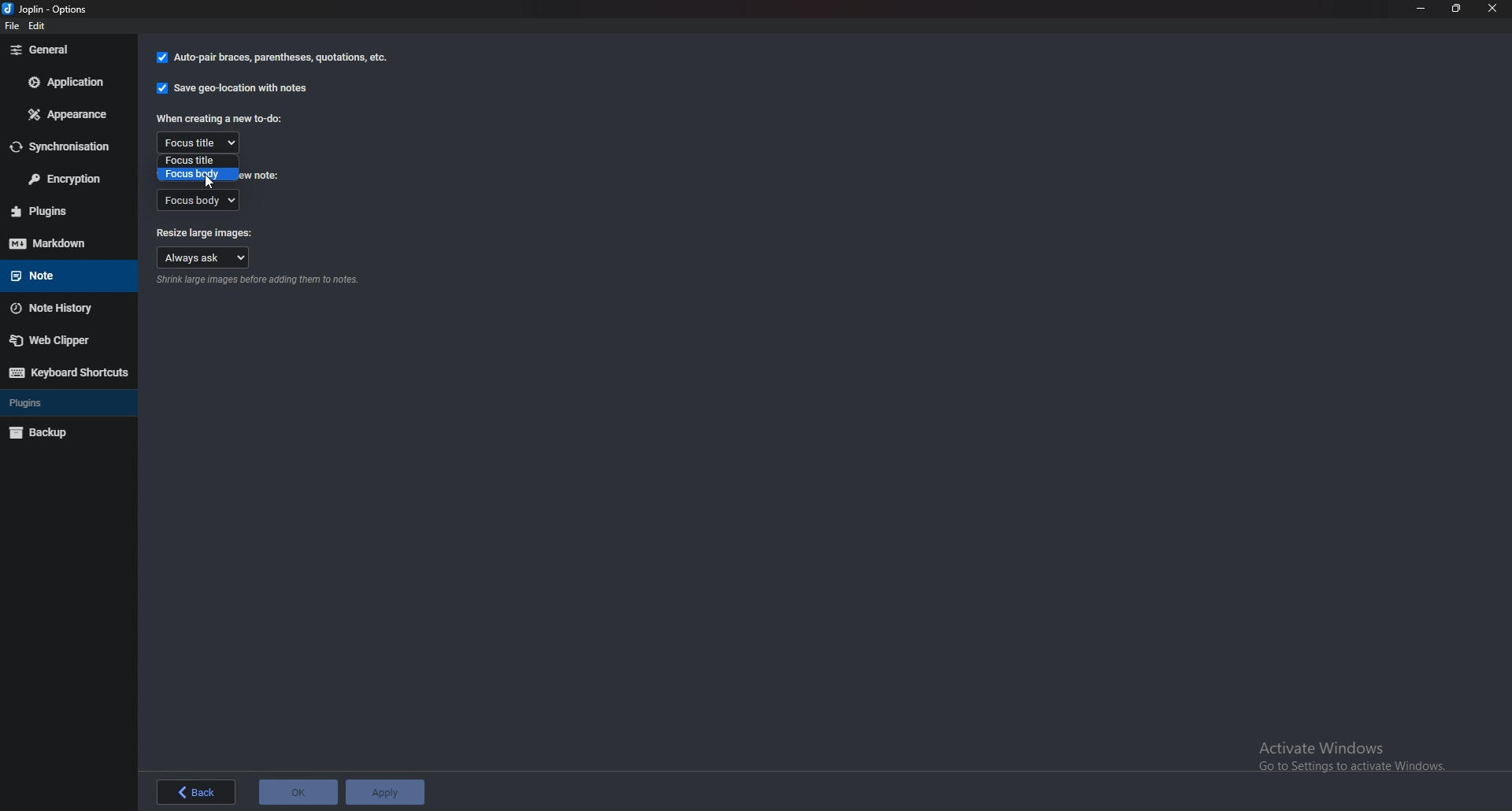  Describe the element at coordinates (66, 180) in the screenshot. I see `Encryption` at that location.